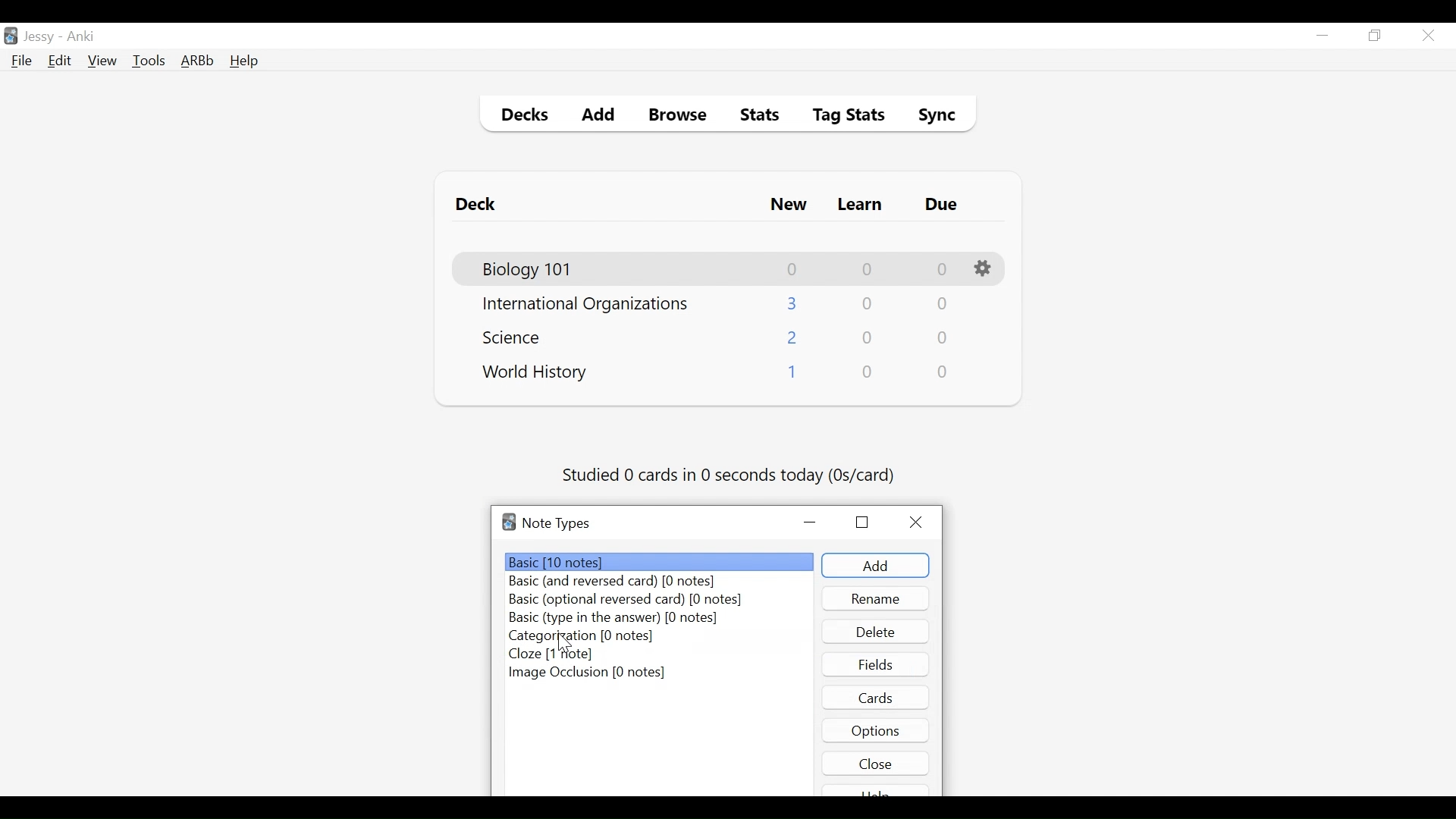  What do you see at coordinates (793, 339) in the screenshot?
I see `New Card Count` at bounding box center [793, 339].